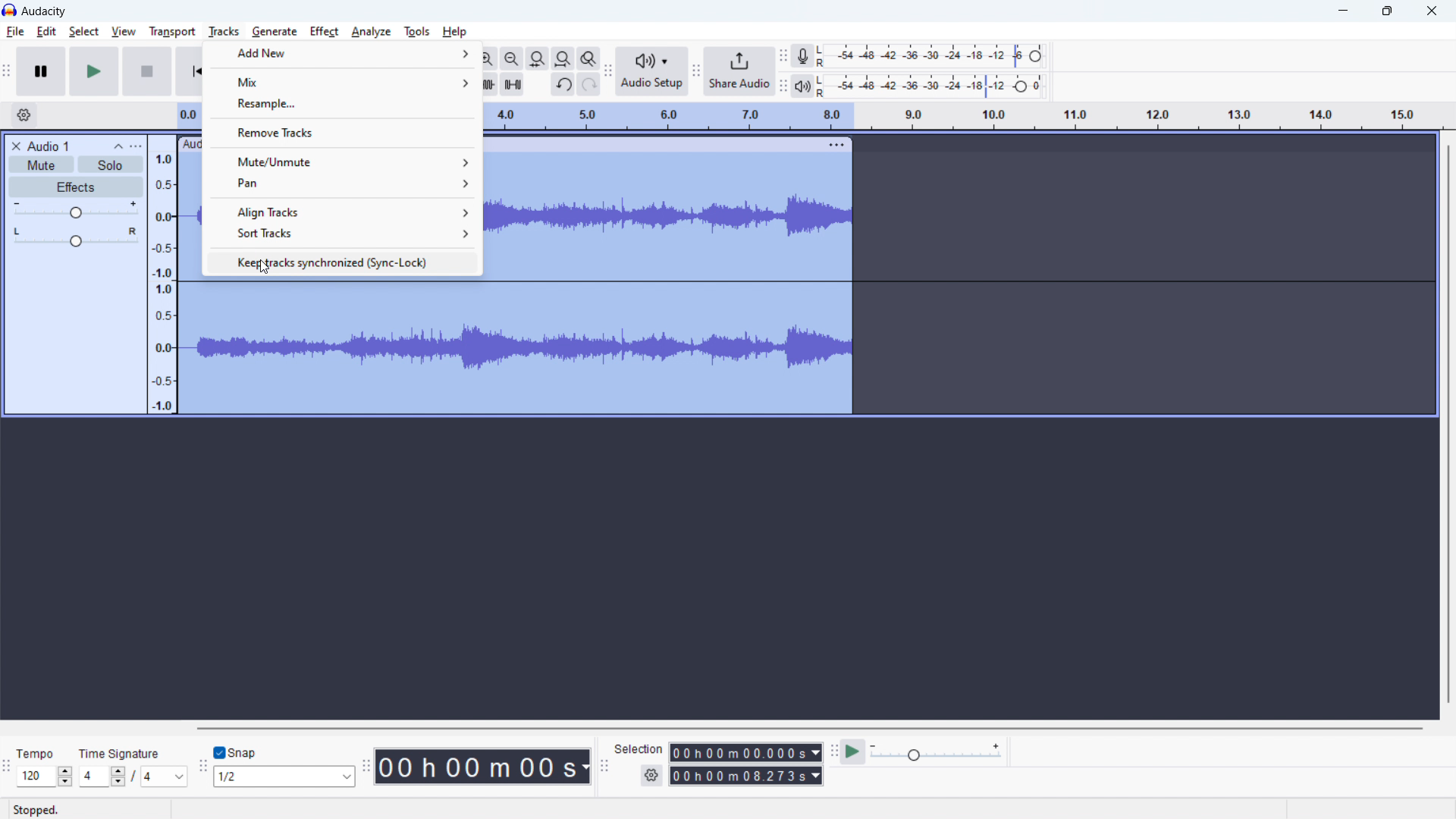  I want to click on mute, so click(41, 164).